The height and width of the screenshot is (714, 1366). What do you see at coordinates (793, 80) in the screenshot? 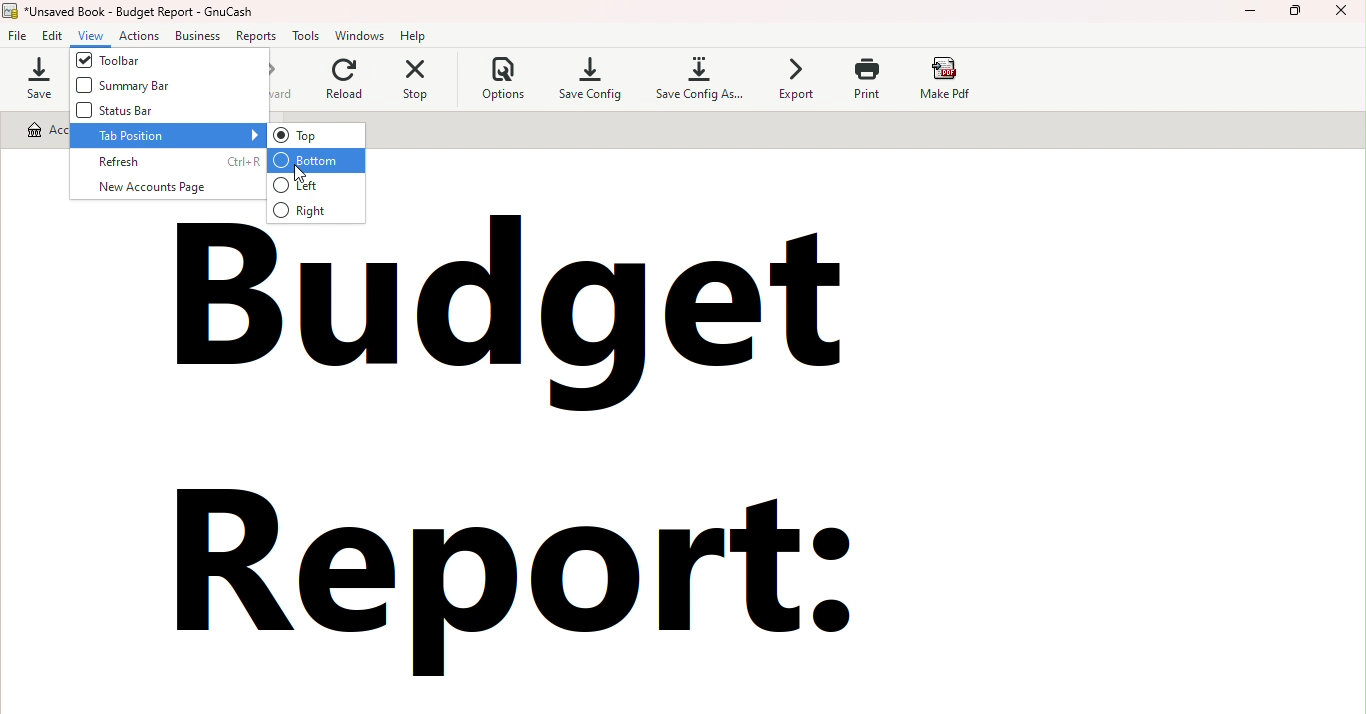
I see `Export` at bounding box center [793, 80].